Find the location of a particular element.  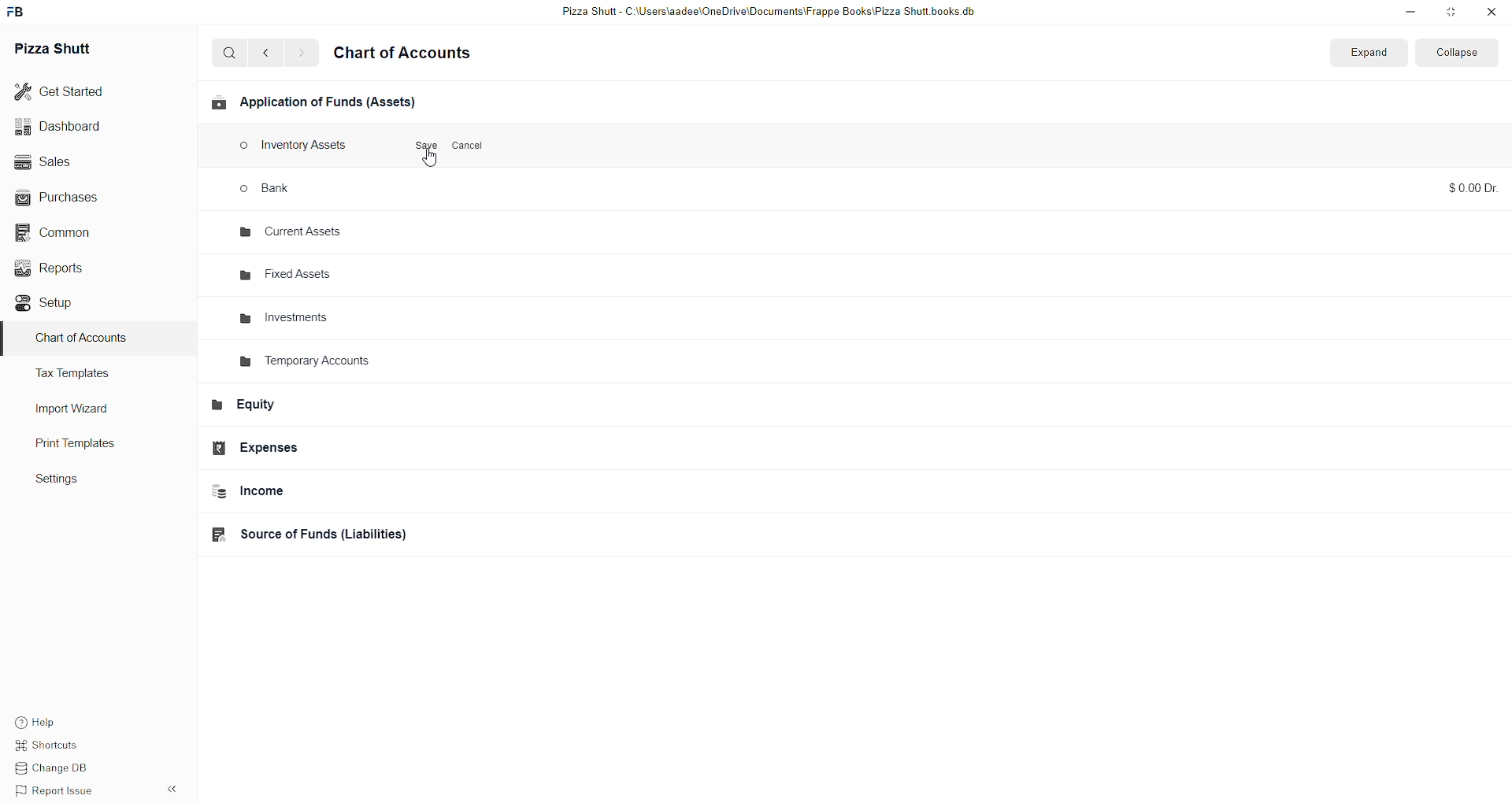

go forward  is located at coordinates (301, 54).